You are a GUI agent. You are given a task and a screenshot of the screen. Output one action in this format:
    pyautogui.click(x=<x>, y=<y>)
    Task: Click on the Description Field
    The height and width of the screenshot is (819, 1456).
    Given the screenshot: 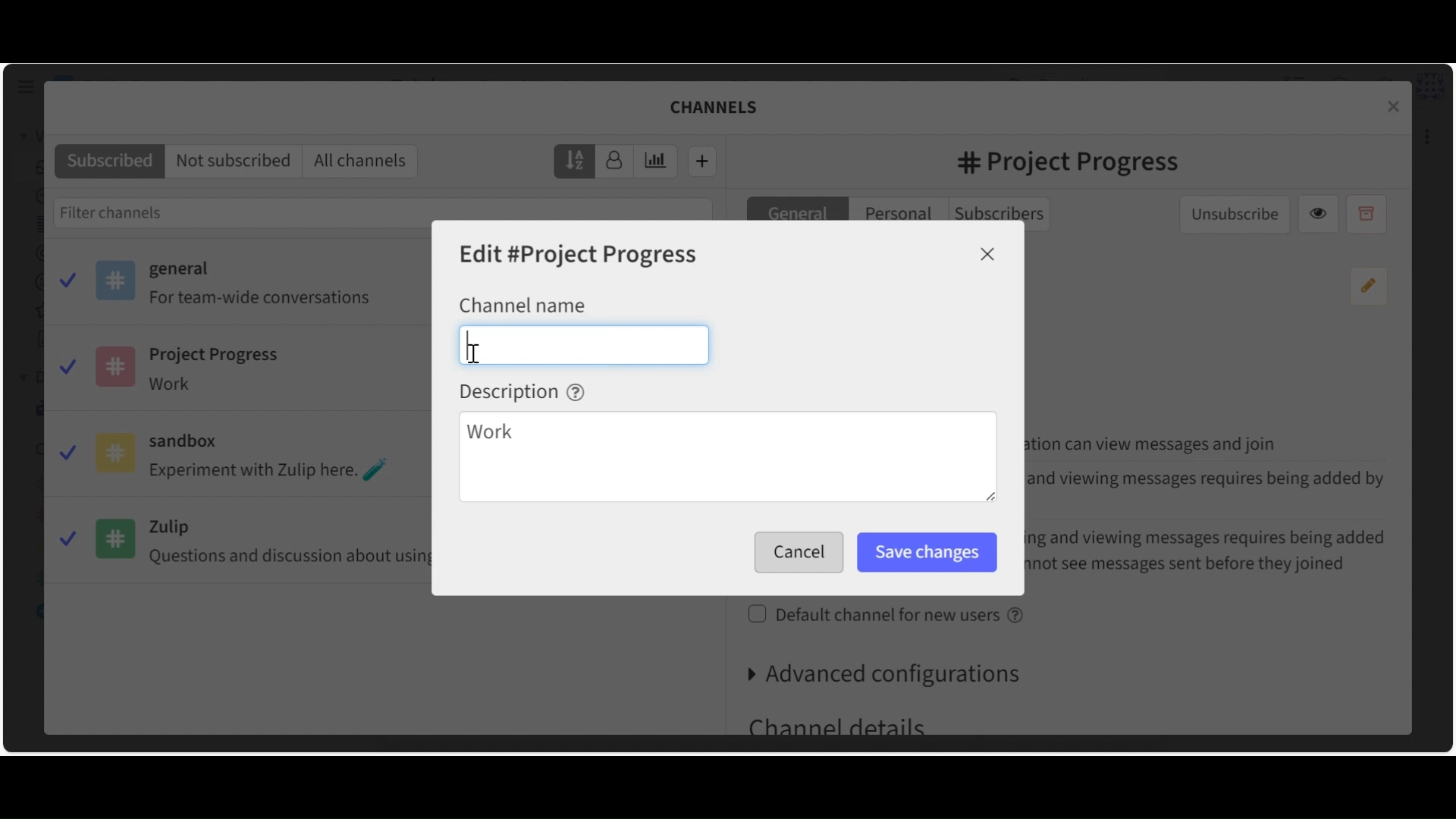 What is the action you would take?
    pyautogui.click(x=727, y=459)
    